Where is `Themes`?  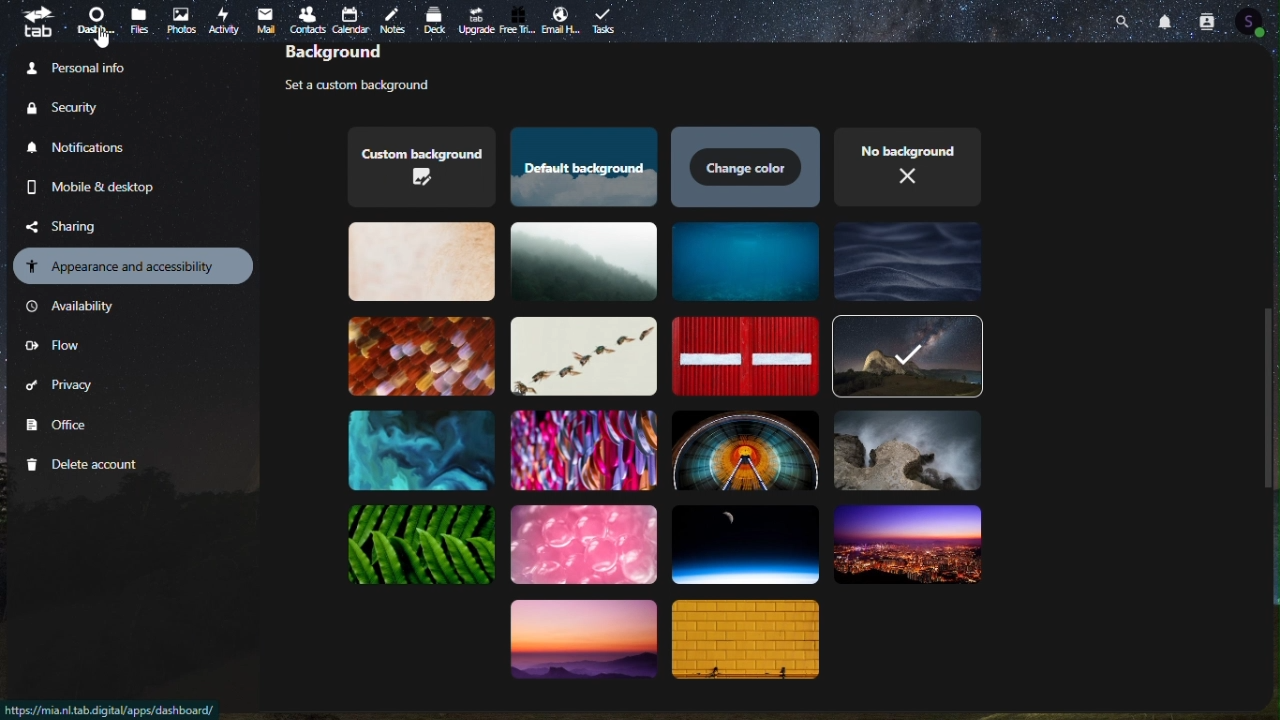 Themes is located at coordinates (422, 449).